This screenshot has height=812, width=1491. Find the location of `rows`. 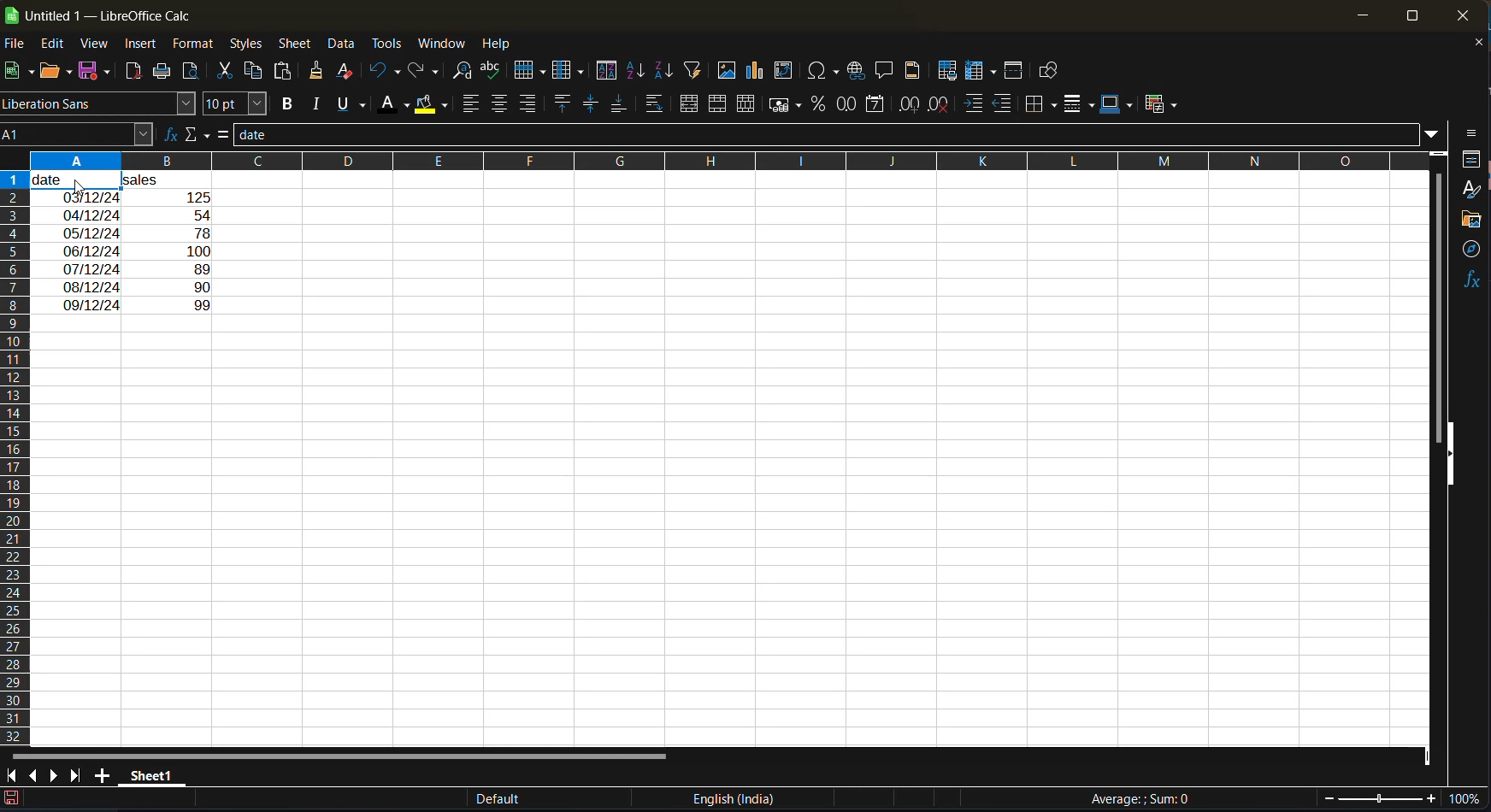

rows is located at coordinates (714, 160).